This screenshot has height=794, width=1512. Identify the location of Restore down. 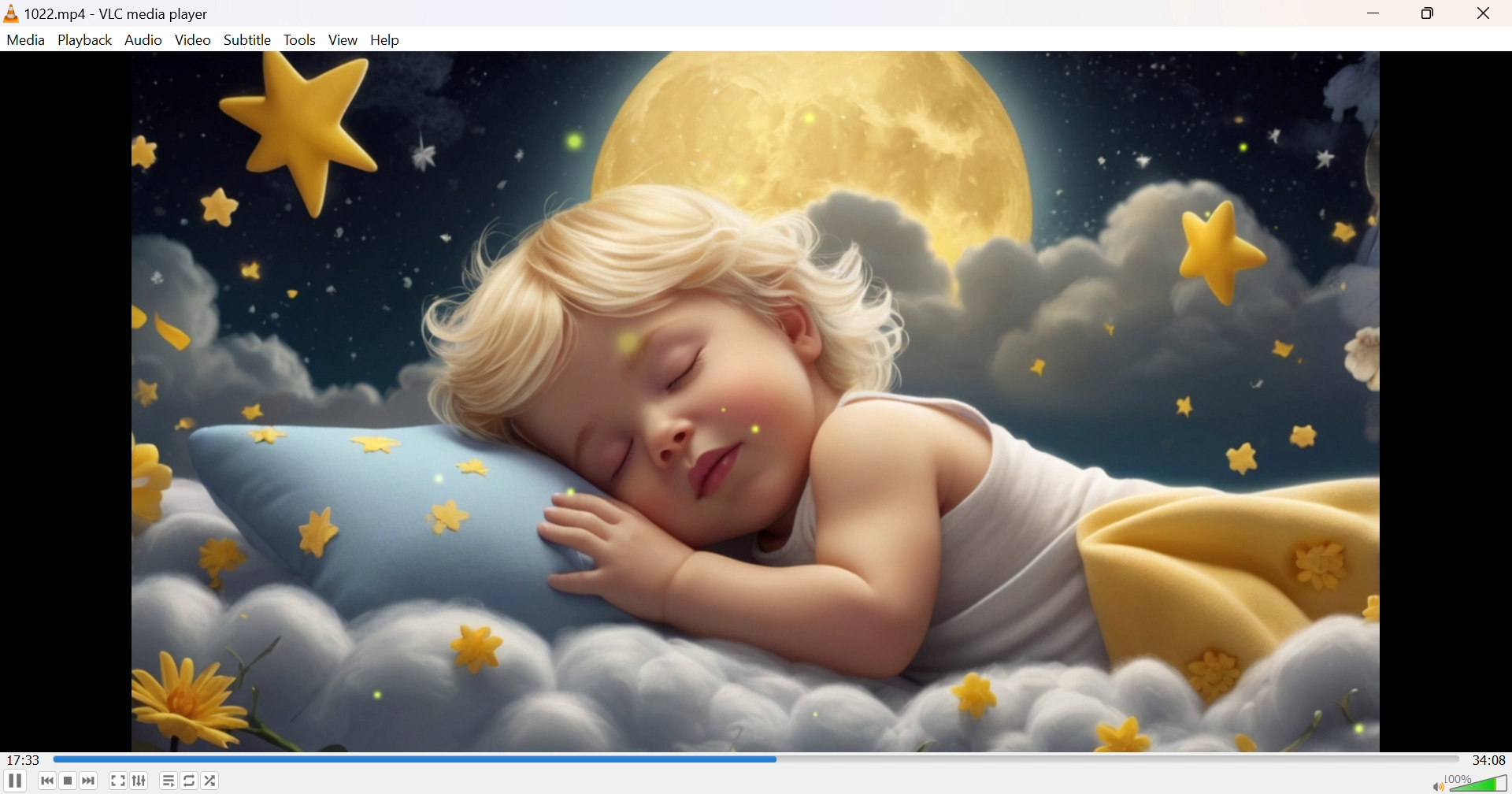
(1431, 15).